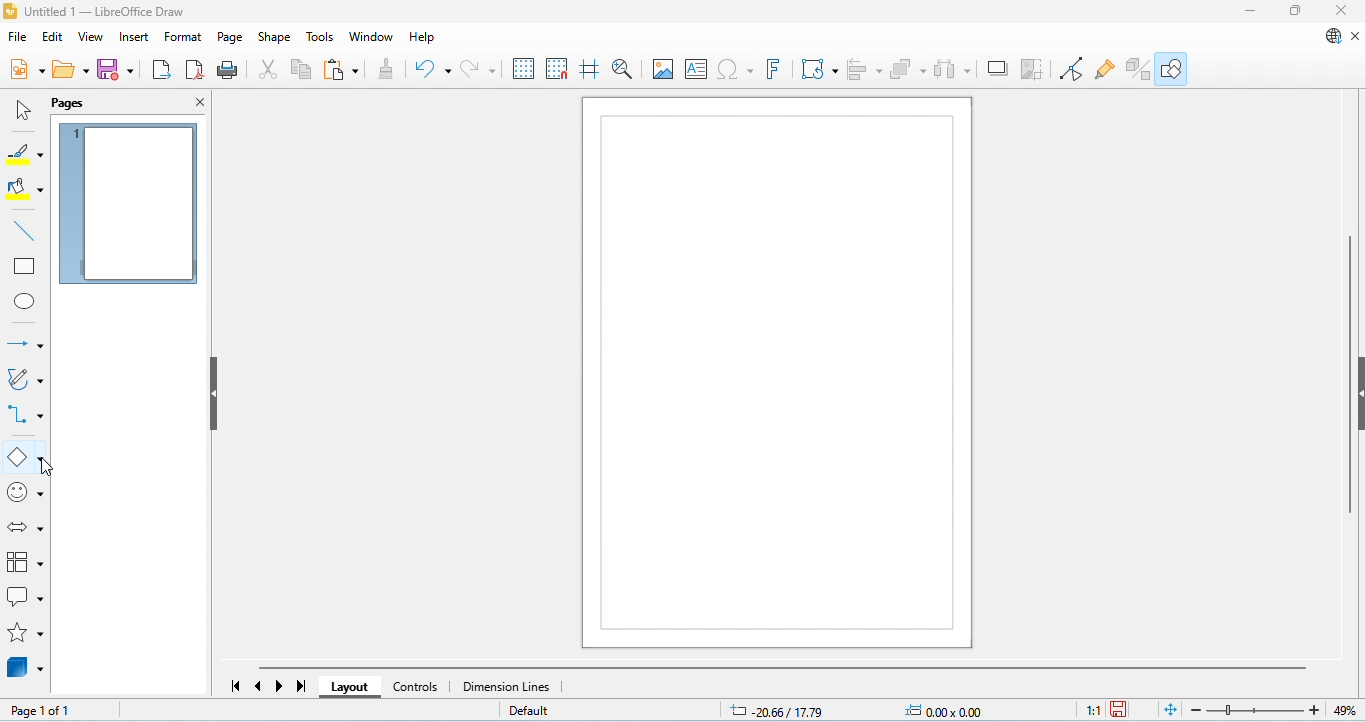  What do you see at coordinates (954, 68) in the screenshot?
I see `select atleast three objects to distribute` at bounding box center [954, 68].